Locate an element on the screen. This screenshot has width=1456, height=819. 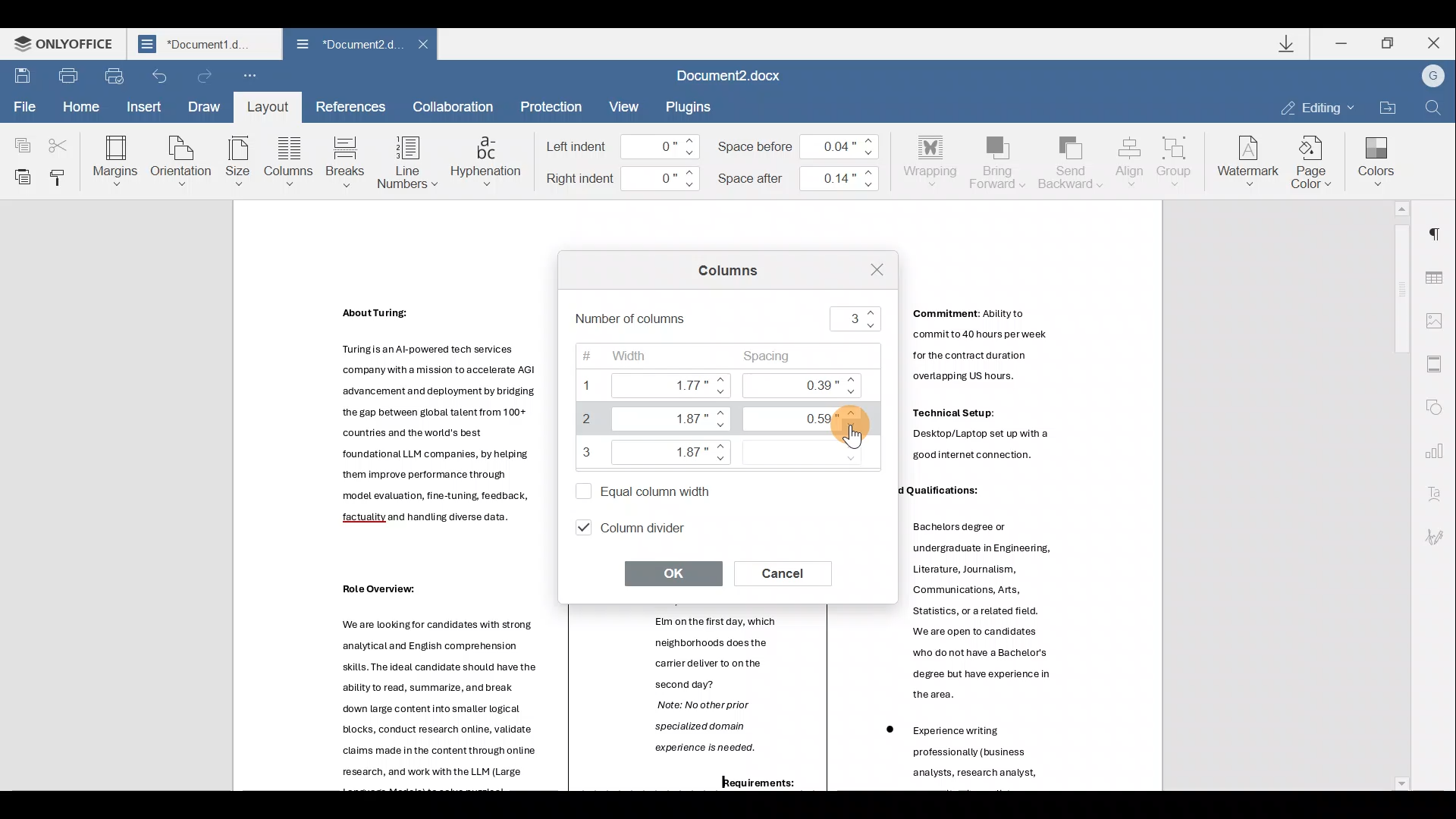
Elm onthe first day, which
neighborhoods does the
carrier deliver to onthe
second day?
Note: No other prior
specialized domain
experience is needed.

| —— is located at coordinates (708, 701).